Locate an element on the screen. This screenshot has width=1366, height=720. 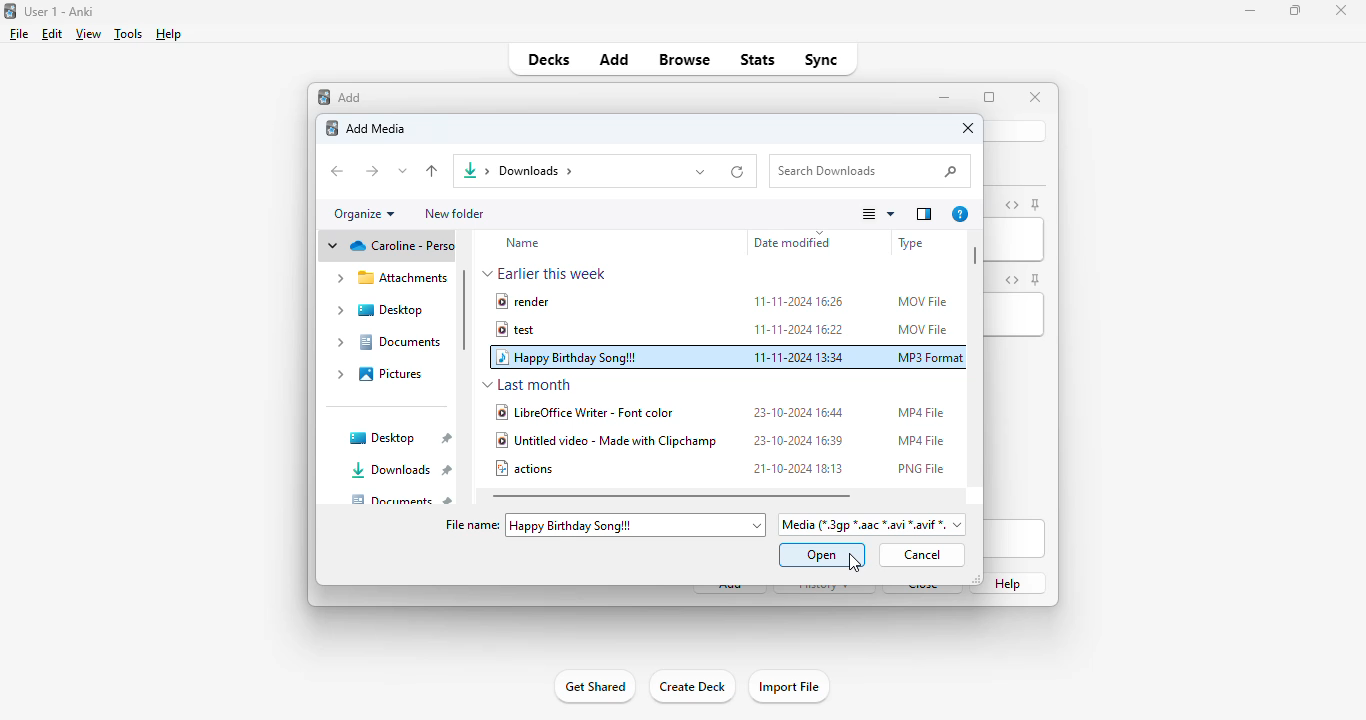
downloads is located at coordinates (561, 171).